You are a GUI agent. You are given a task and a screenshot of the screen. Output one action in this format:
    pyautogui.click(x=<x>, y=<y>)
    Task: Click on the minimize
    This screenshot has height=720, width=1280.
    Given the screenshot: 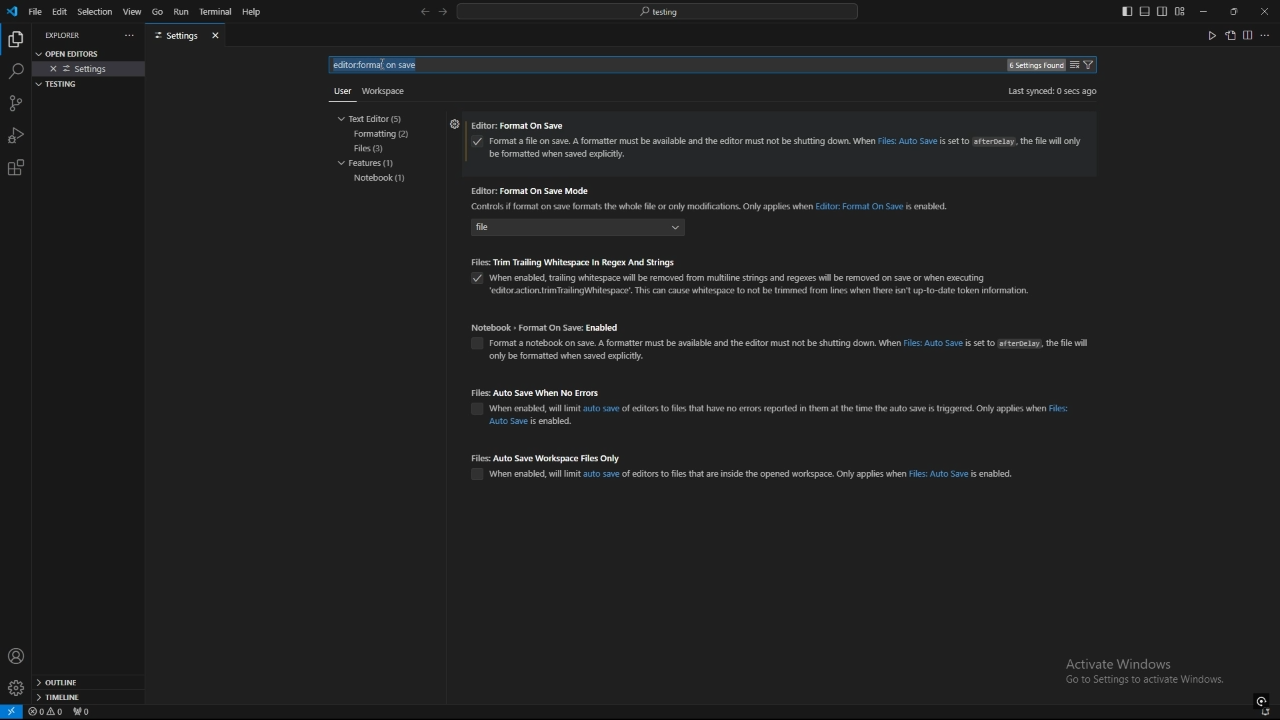 What is the action you would take?
    pyautogui.click(x=1204, y=12)
    